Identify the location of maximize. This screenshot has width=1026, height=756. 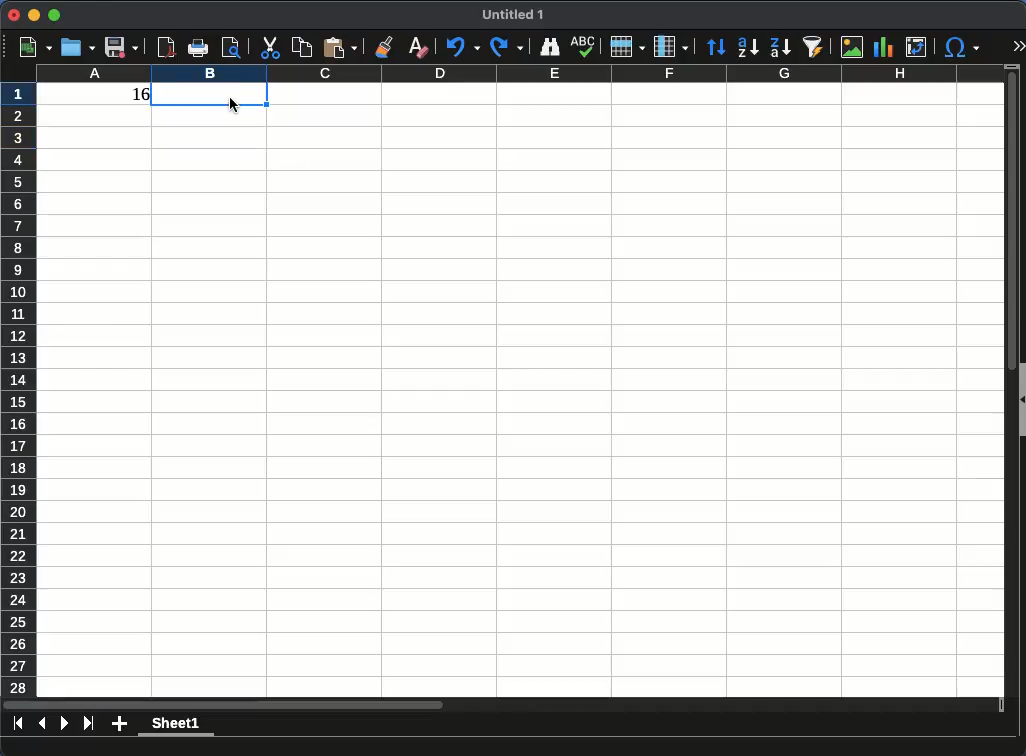
(56, 14).